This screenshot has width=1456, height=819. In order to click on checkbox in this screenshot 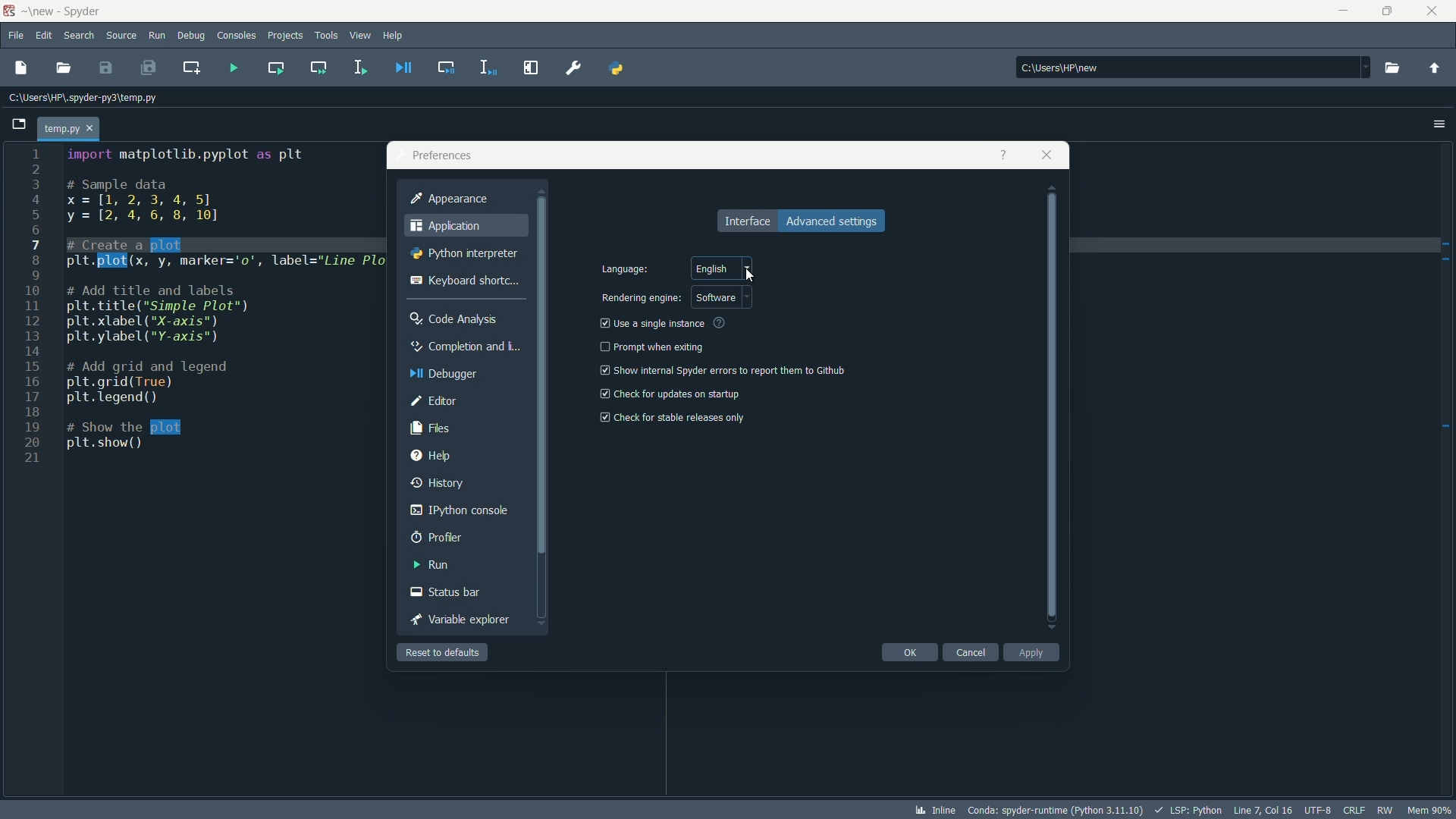, I will do `click(602, 417)`.